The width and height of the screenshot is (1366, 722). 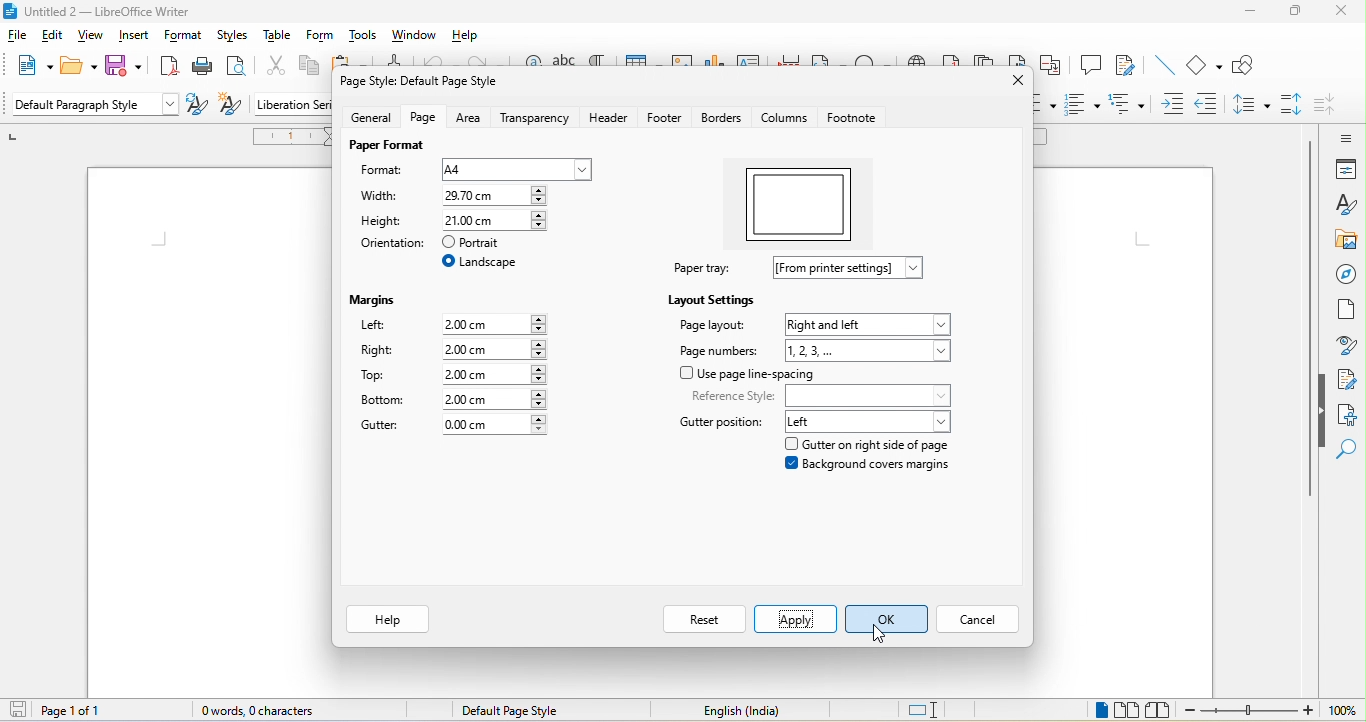 I want to click on reference style, so click(x=823, y=396).